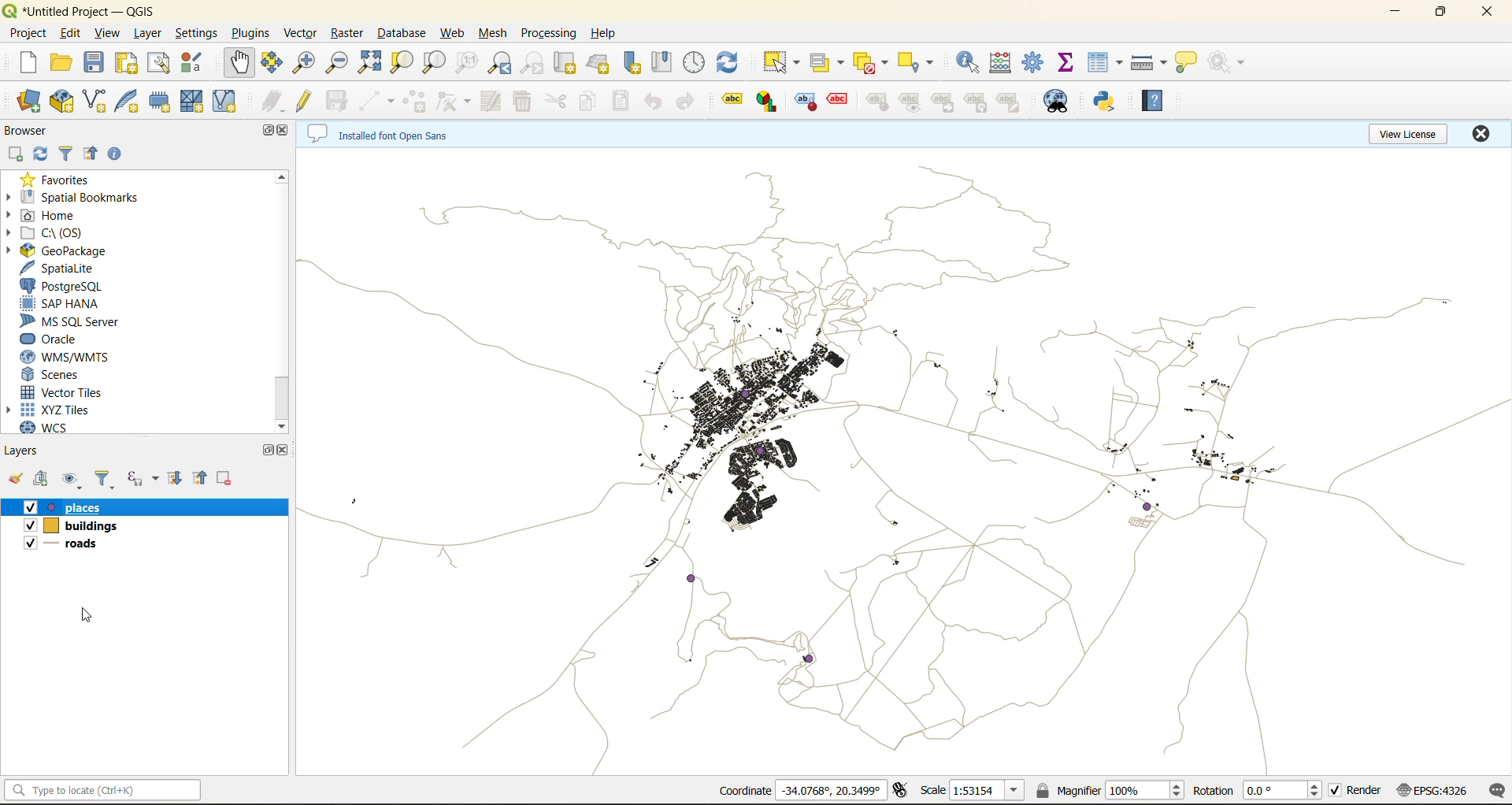 This screenshot has height=805, width=1512. Describe the element at coordinates (28, 508) in the screenshot. I see `checkbox` at that location.